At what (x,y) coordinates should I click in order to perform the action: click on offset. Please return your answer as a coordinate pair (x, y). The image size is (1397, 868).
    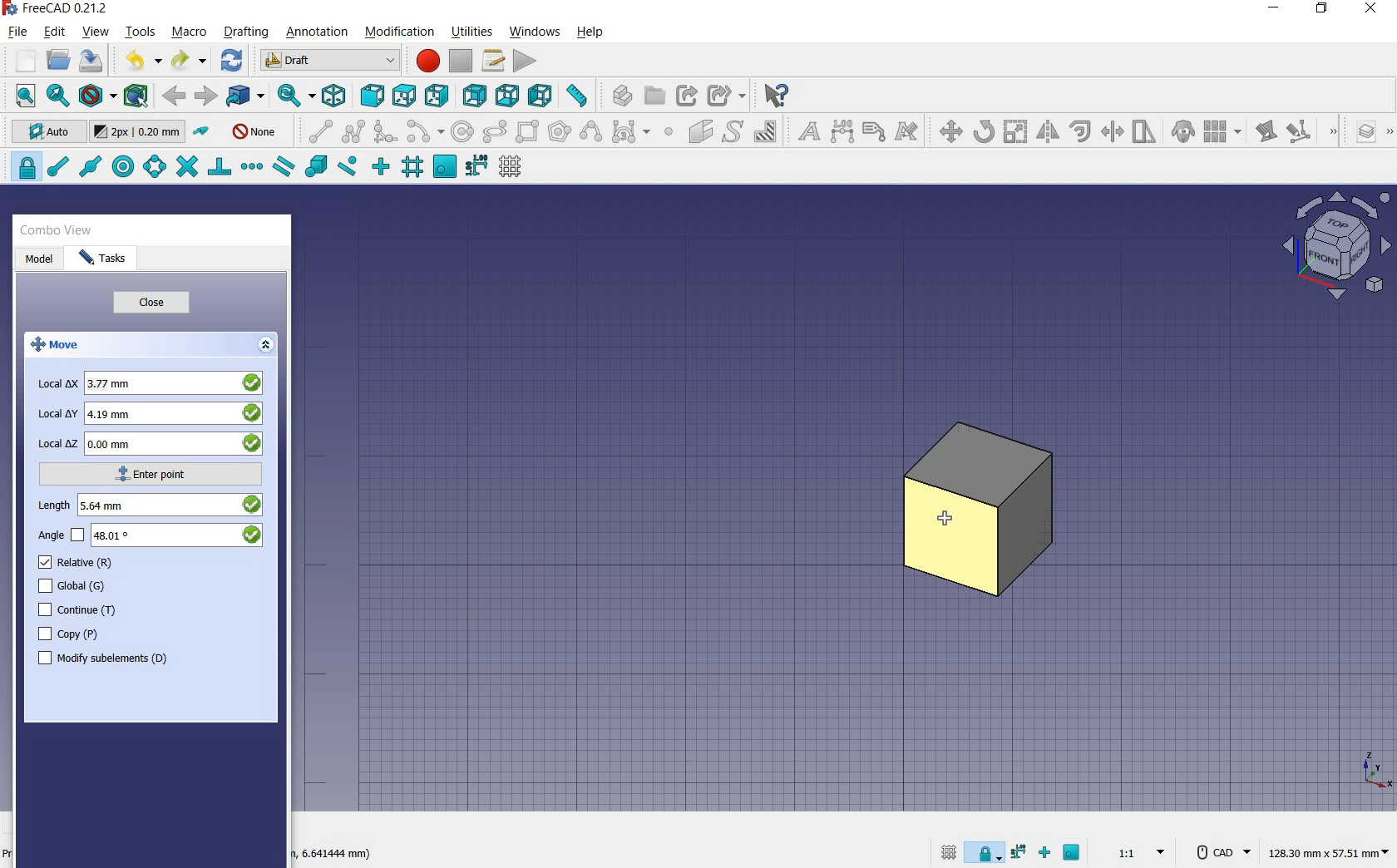
    Looking at the image, I should click on (1081, 131).